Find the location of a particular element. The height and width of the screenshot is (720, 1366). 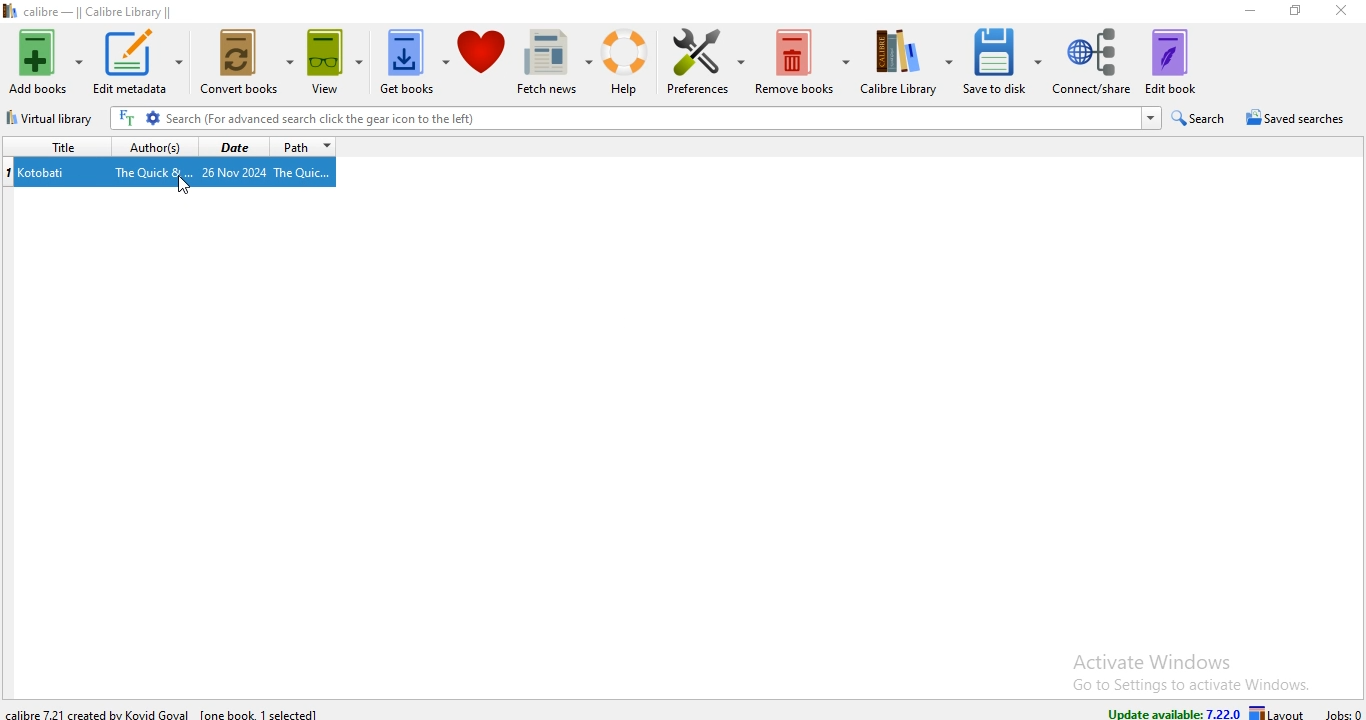

26 Nov 2024 is located at coordinates (235, 173).